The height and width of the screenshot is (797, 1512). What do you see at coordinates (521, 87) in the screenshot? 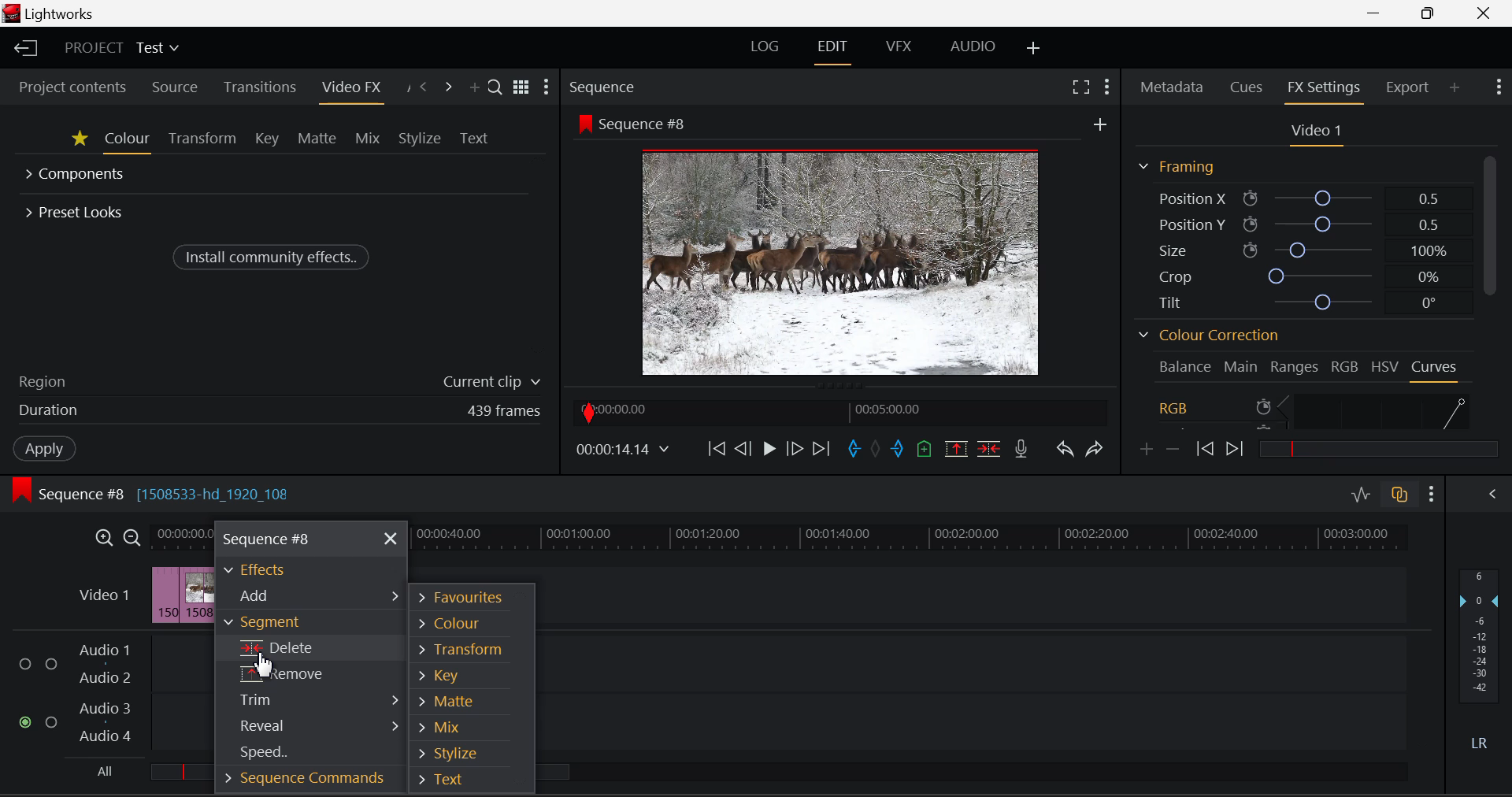
I see `Toggle between list and title view` at bounding box center [521, 87].